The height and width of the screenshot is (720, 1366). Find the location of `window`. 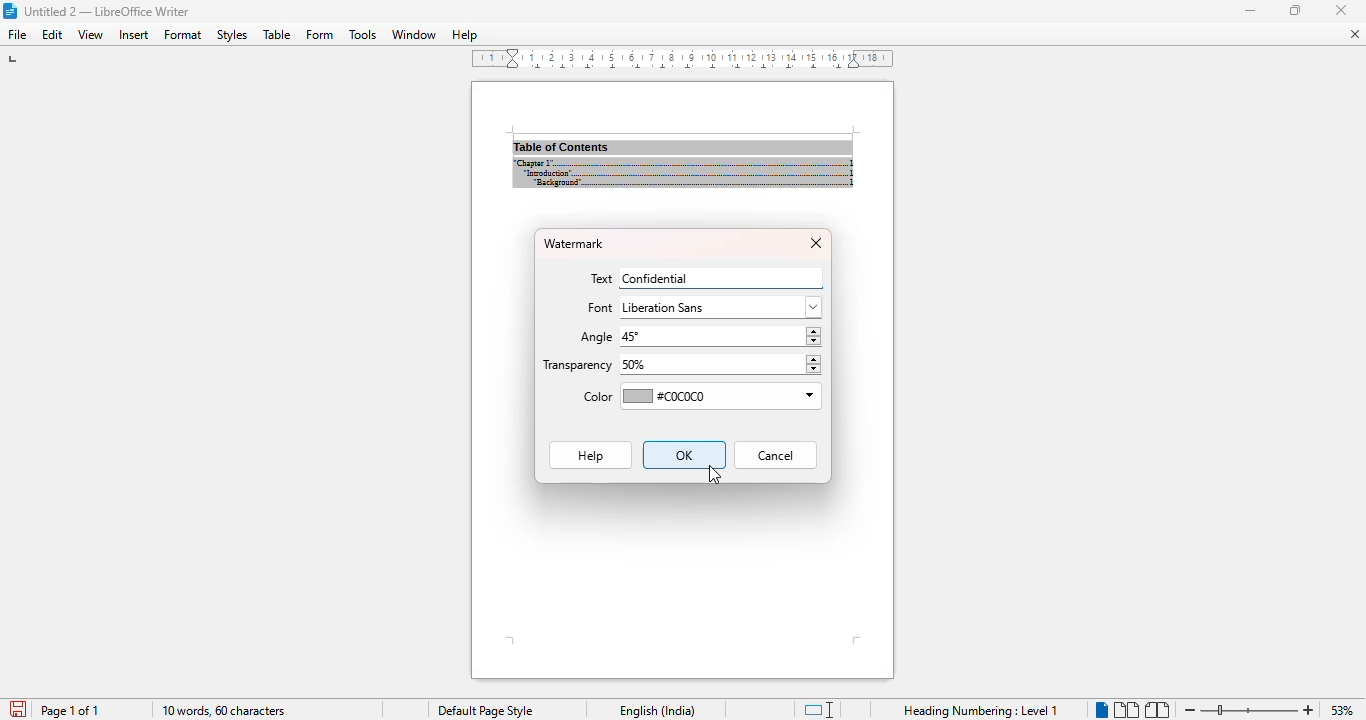

window is located at coordinates (414, 34).